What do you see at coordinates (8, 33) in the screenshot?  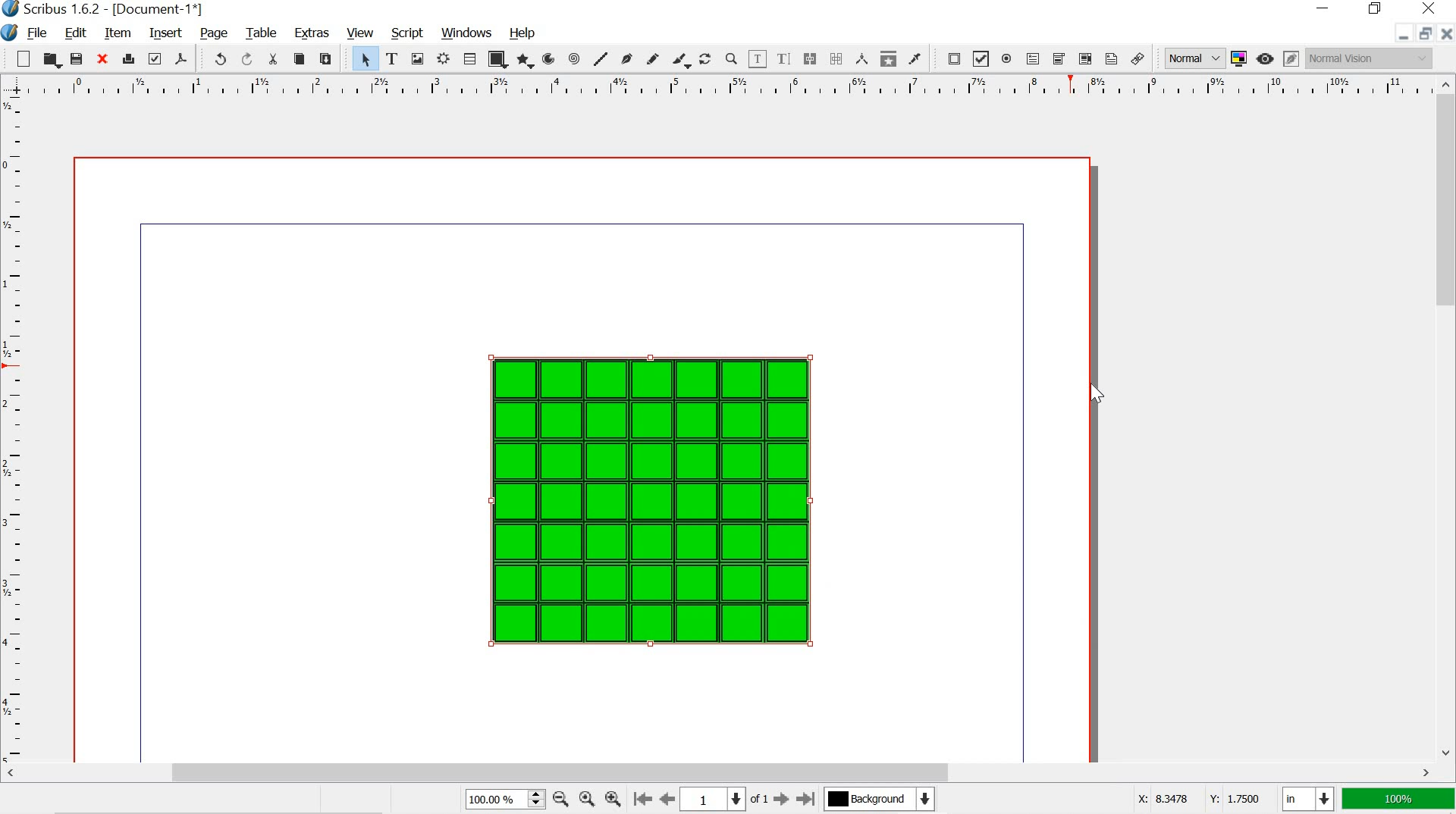 I see `logo` at bounding box center [8, 33].